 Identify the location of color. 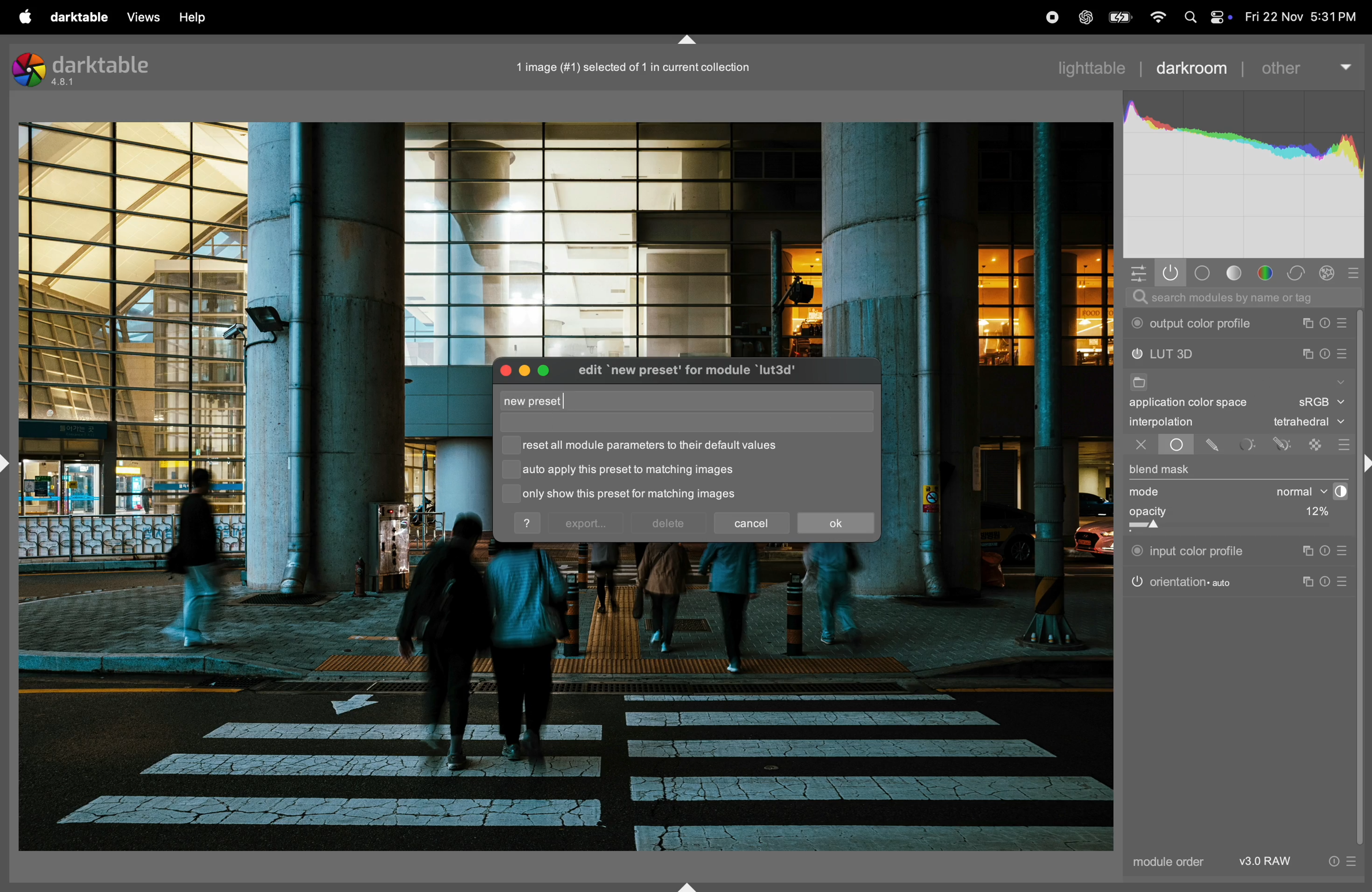
(1269, 274).